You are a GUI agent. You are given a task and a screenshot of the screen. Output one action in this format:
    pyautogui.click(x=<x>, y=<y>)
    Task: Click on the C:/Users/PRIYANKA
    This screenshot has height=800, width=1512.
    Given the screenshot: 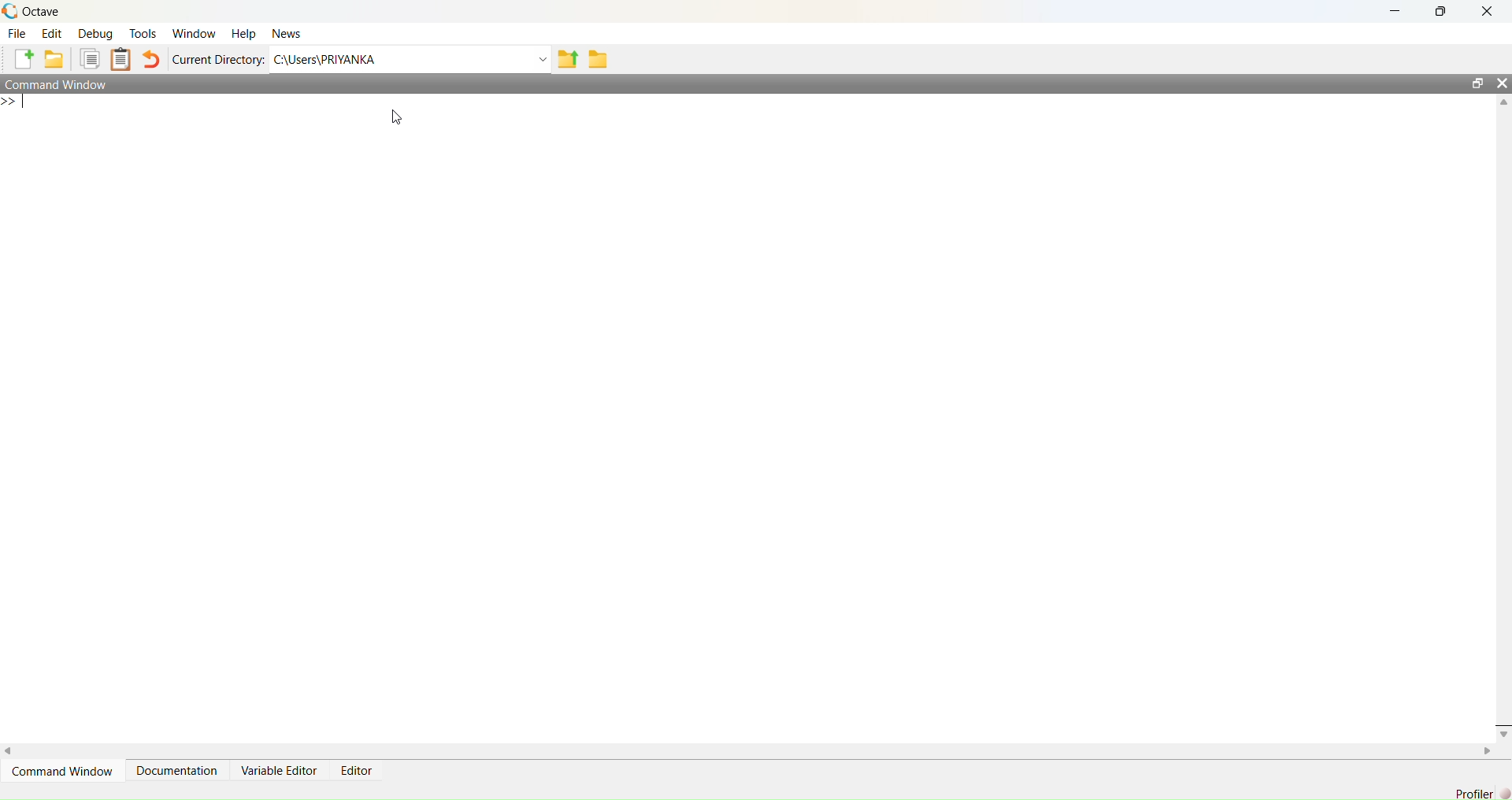 What is the action you would take?
    pyautogui.click(x=398, y=61)
    